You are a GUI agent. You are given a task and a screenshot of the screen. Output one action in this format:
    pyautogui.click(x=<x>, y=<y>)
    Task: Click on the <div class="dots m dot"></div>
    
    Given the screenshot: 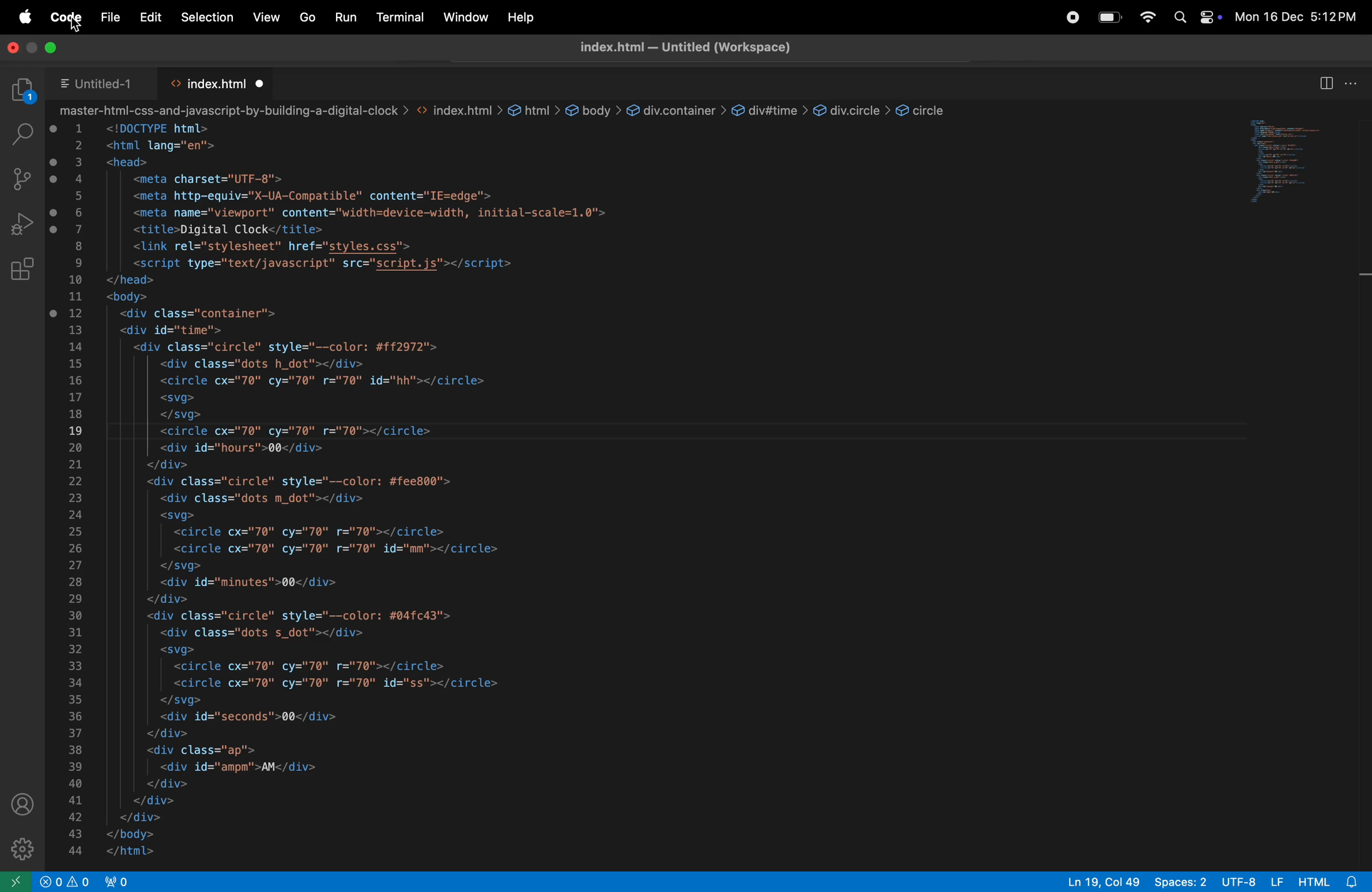 What is the action you would take?
    pyautogui.click(x=276, y=498)
    